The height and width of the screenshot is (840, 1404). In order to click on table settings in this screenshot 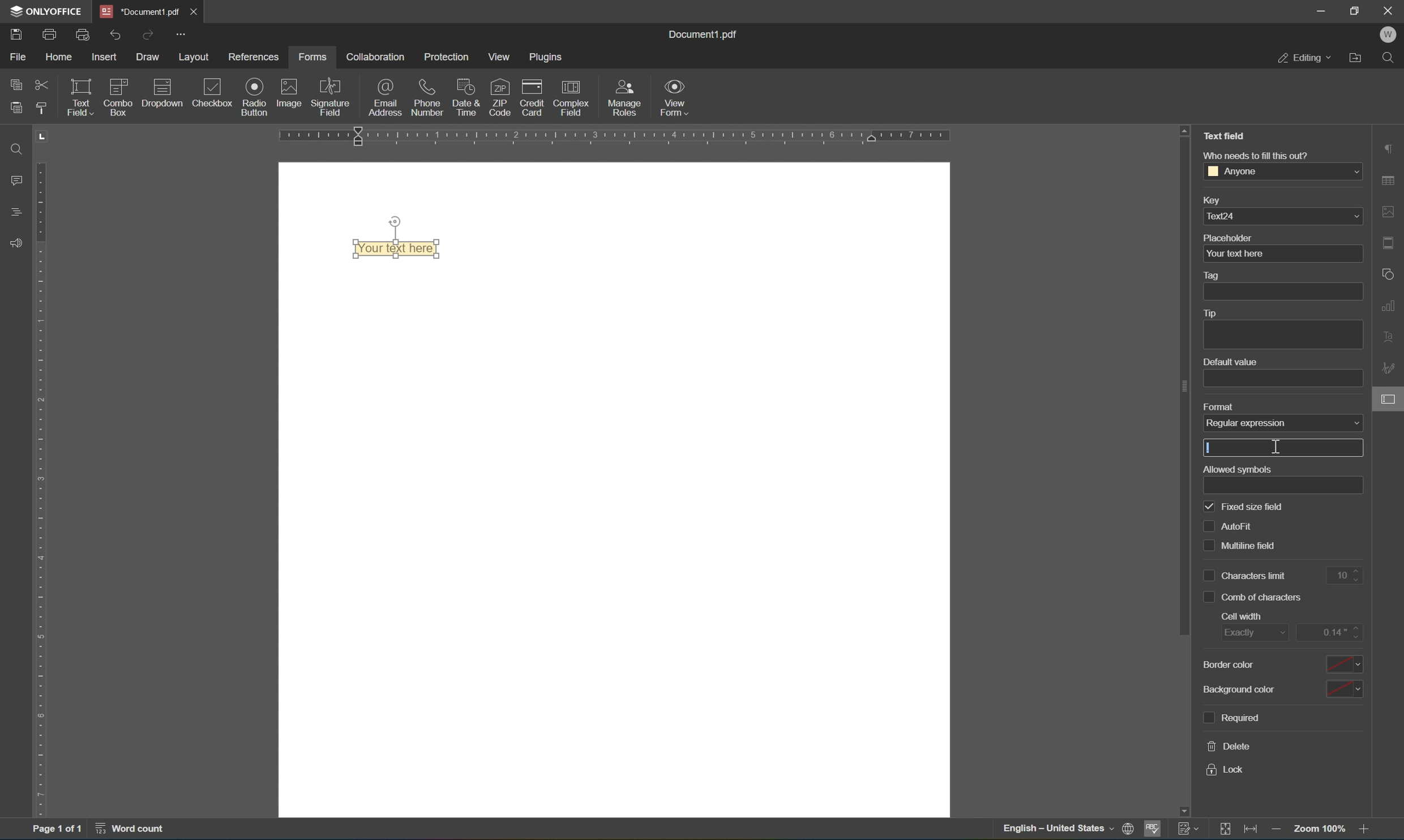, I will do `click(1390, 182)`.